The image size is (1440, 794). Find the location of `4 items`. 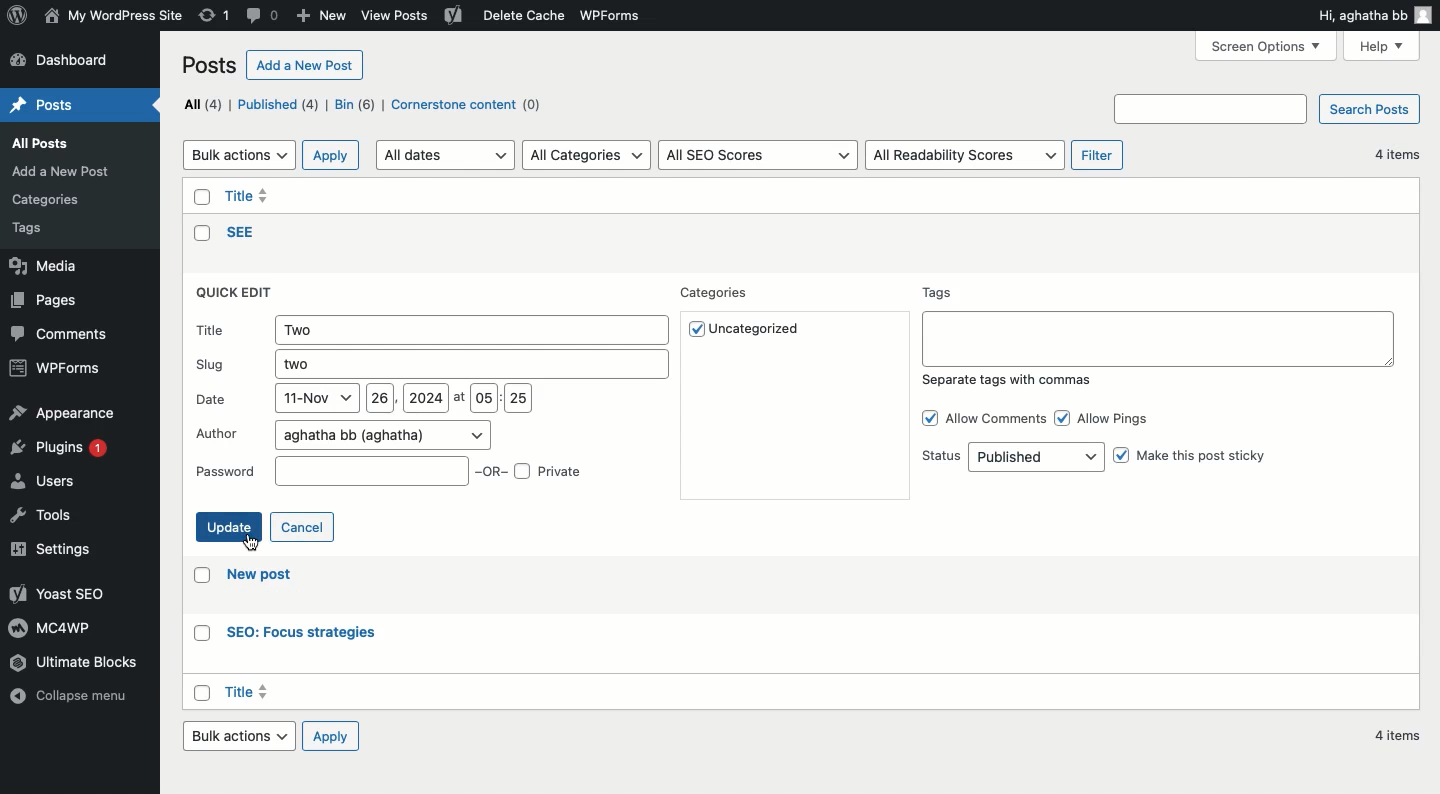

4 items is located at coordinates (1393, 154).